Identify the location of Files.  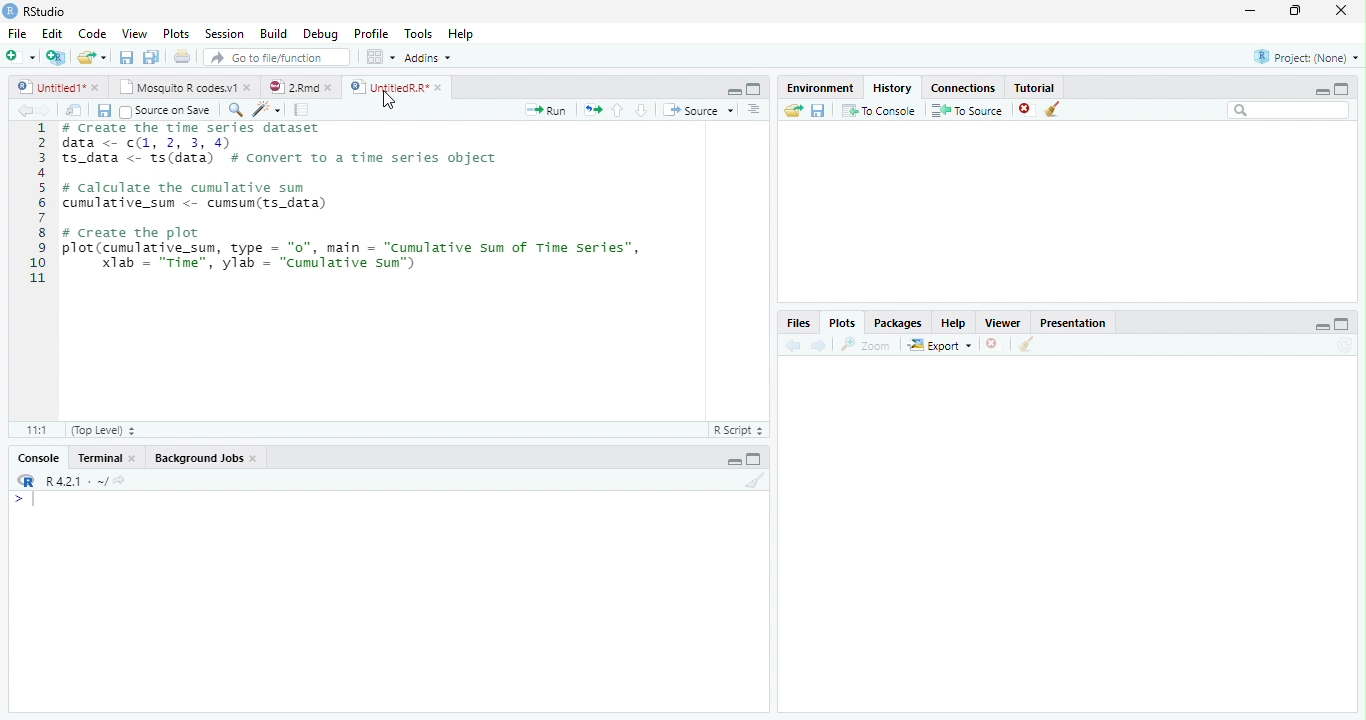
(802, 323).